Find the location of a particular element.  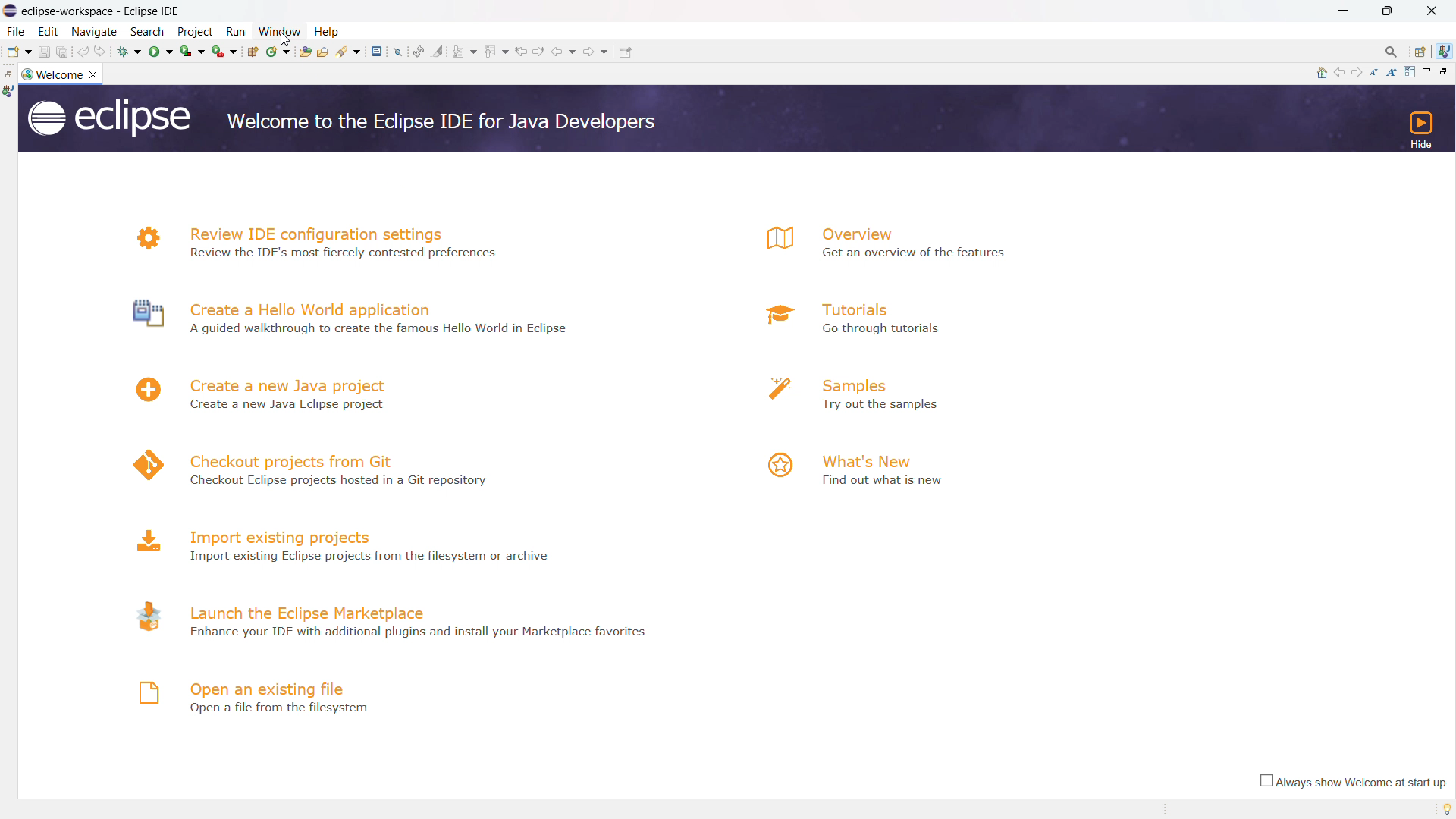

open perspectives is located at coordinates (1420, 52).